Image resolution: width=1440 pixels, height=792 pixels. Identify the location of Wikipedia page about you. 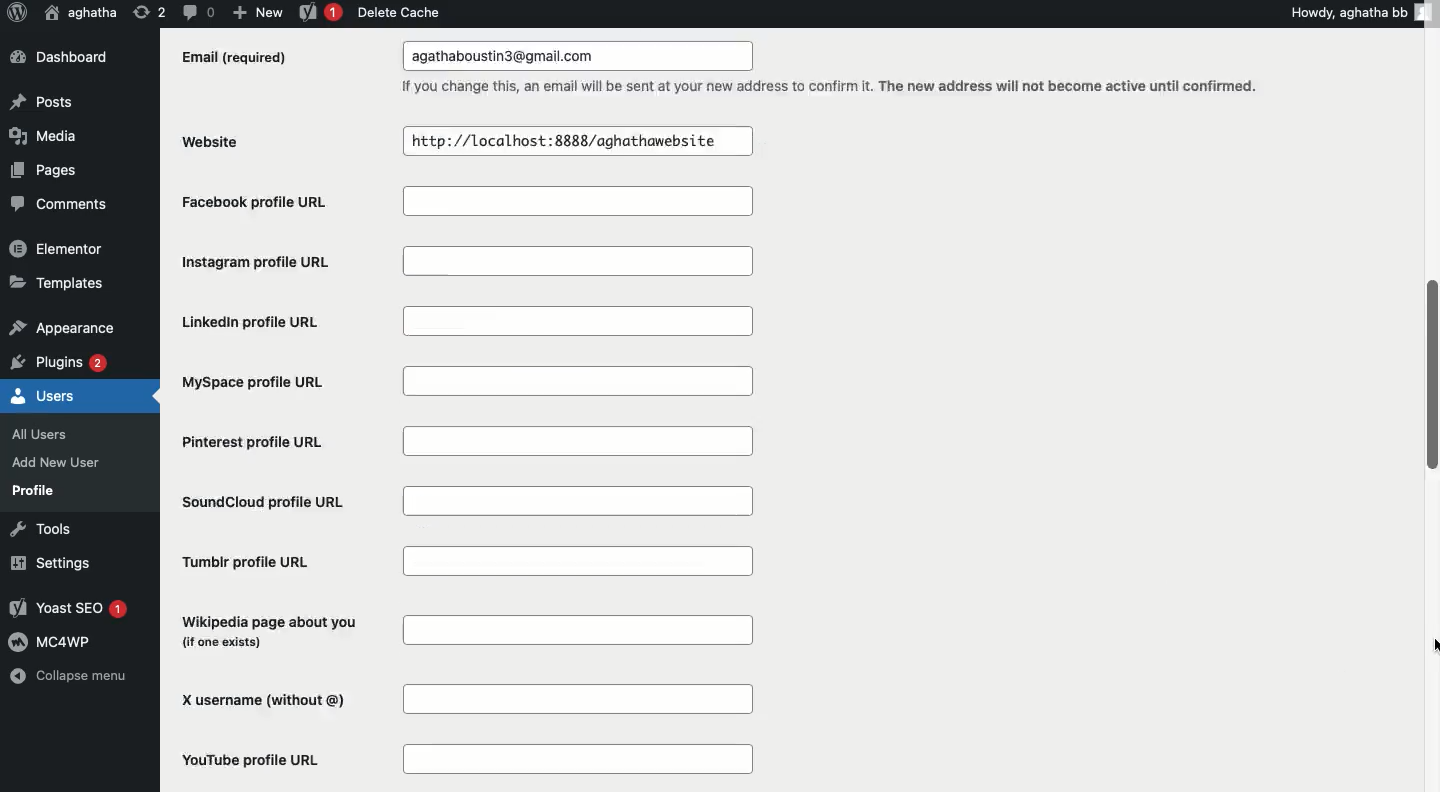
(461, 632).